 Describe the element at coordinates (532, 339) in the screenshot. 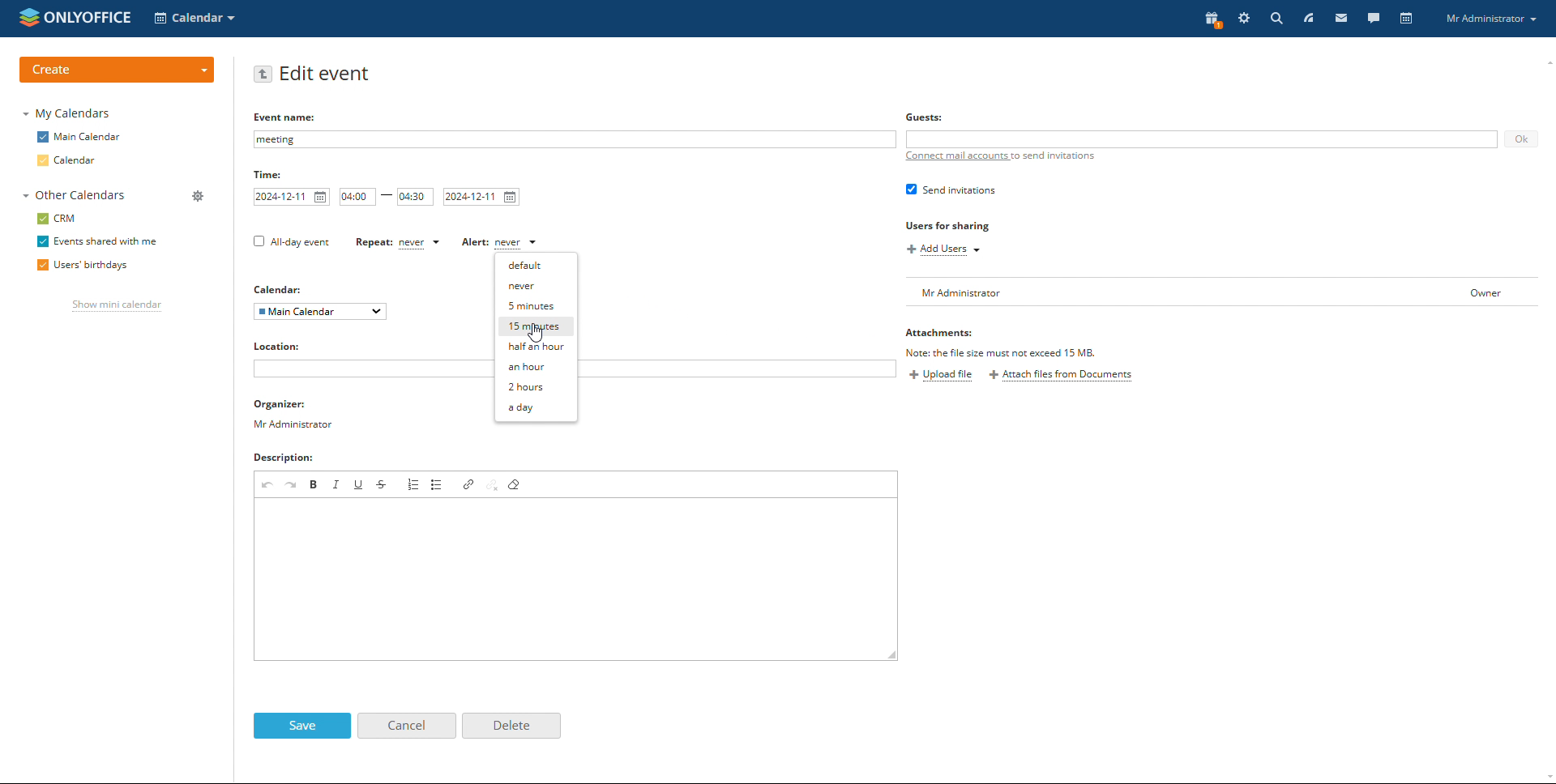

I see `mouse pointer` at that location.